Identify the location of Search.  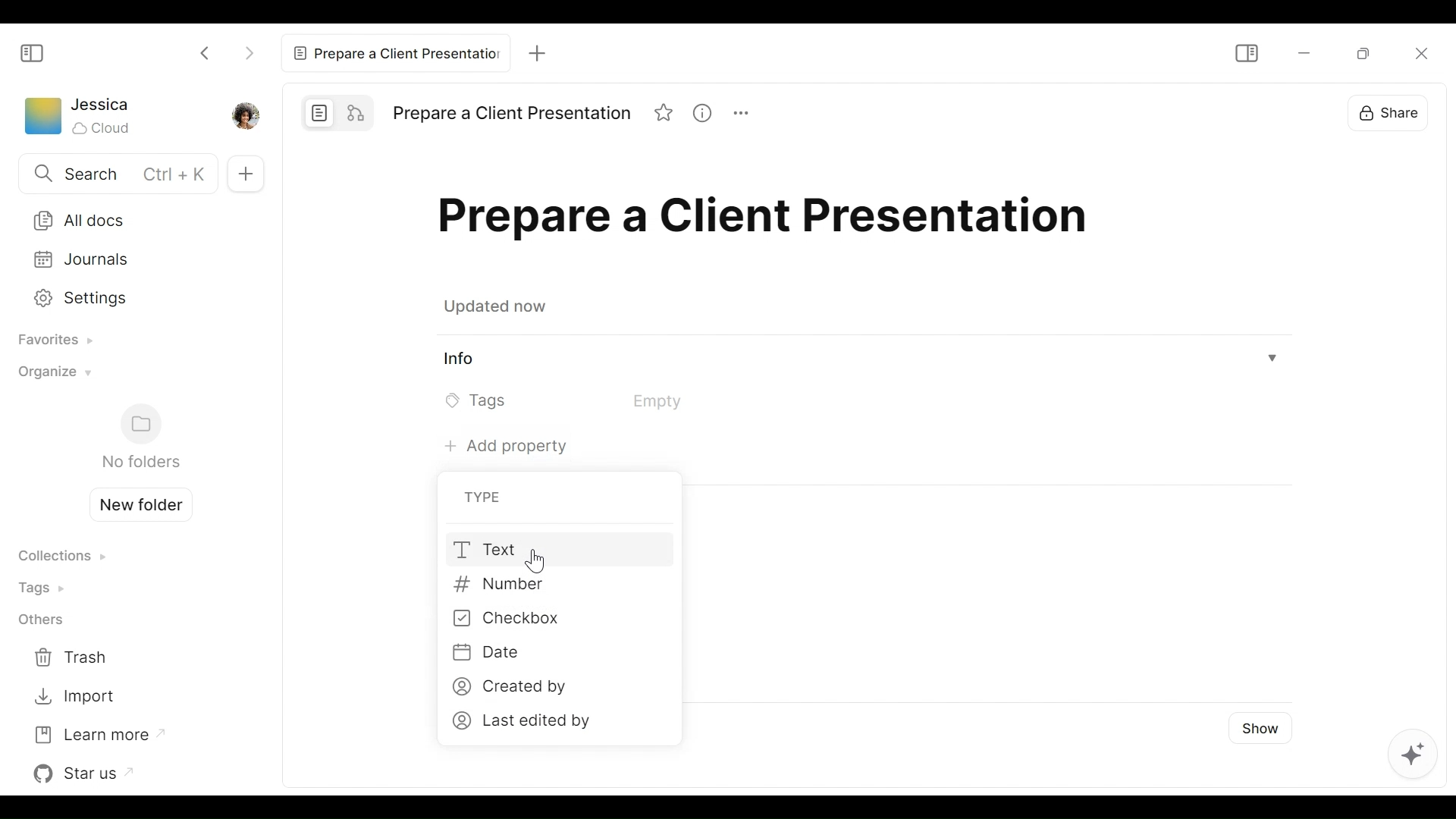
(115, 175).